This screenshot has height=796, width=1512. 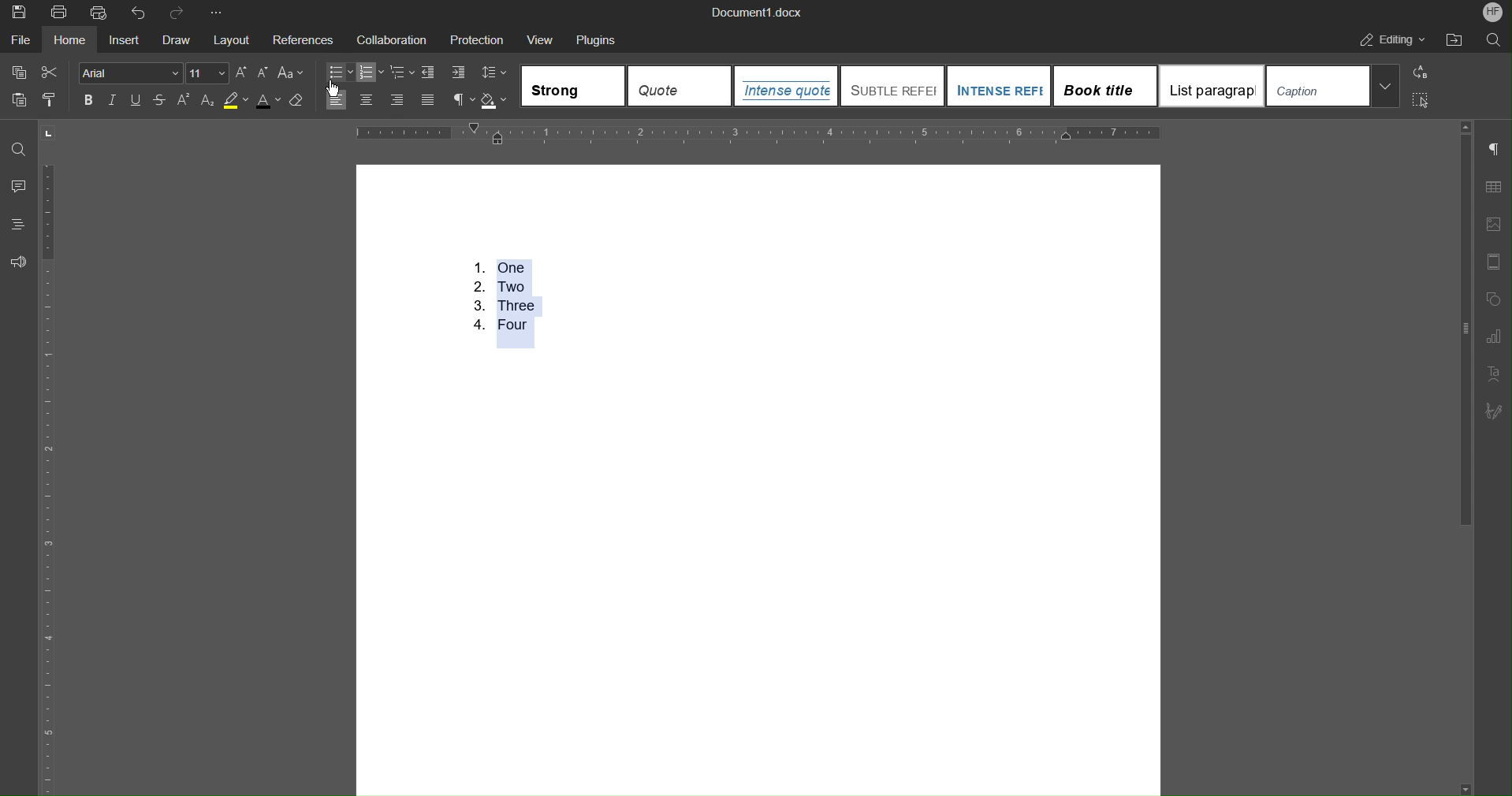 What do you see at coordinates (336, 86) in the screenshot?
I see `Cursor` at bounding box center [336, 86].